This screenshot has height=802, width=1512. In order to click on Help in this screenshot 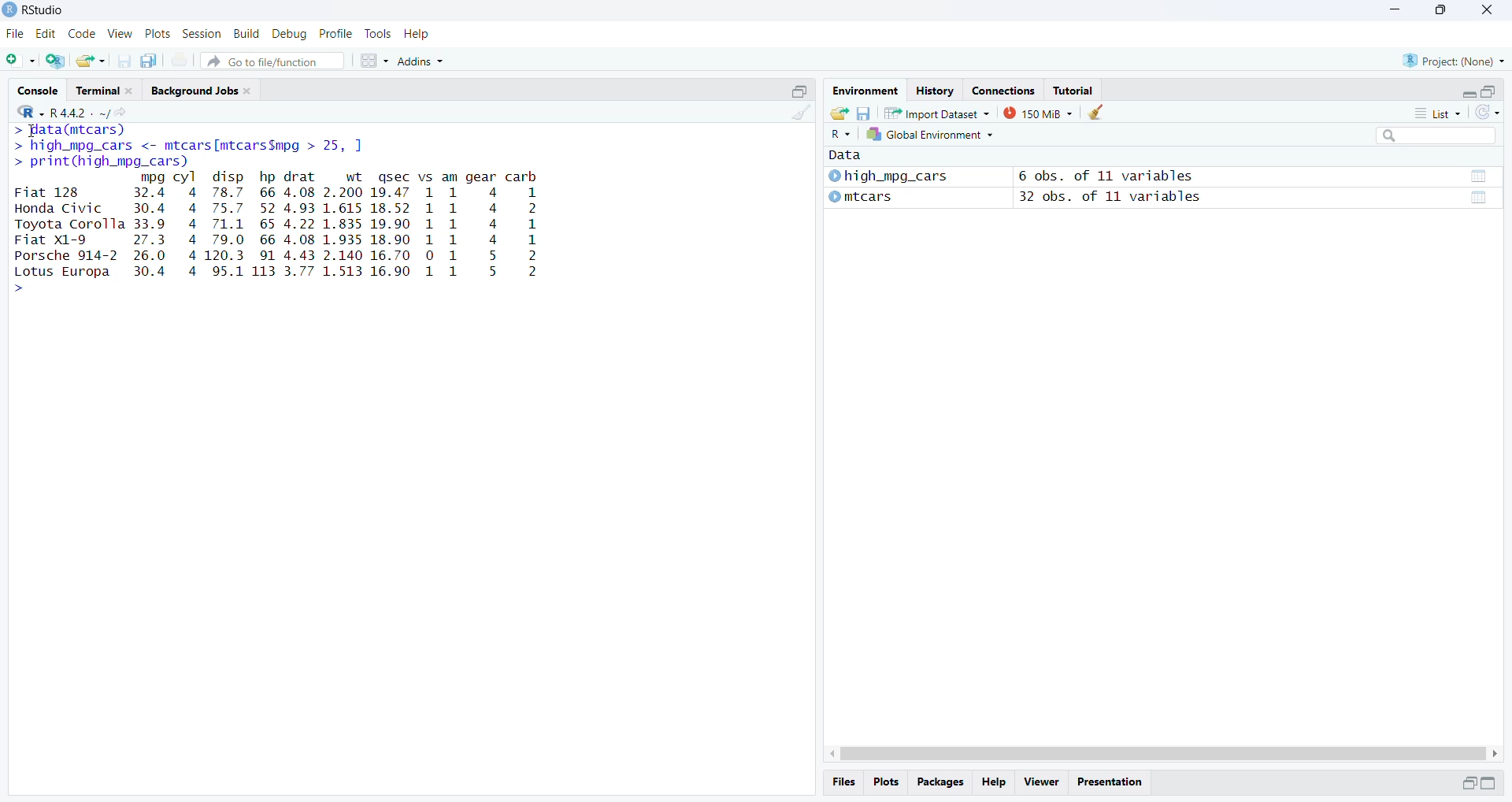, I will do `click(994, 783)`.